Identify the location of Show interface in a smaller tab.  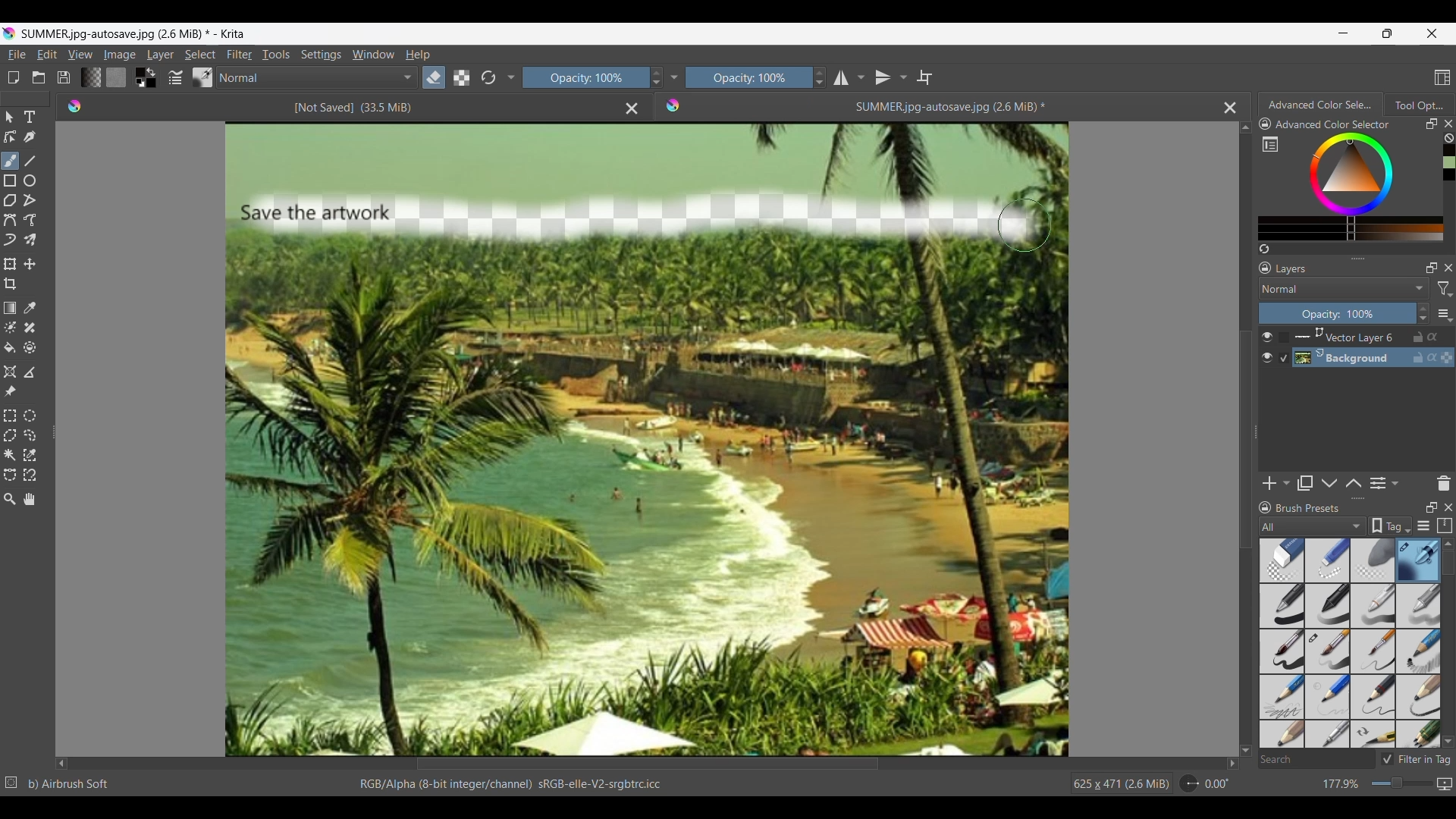
(1387, 33).